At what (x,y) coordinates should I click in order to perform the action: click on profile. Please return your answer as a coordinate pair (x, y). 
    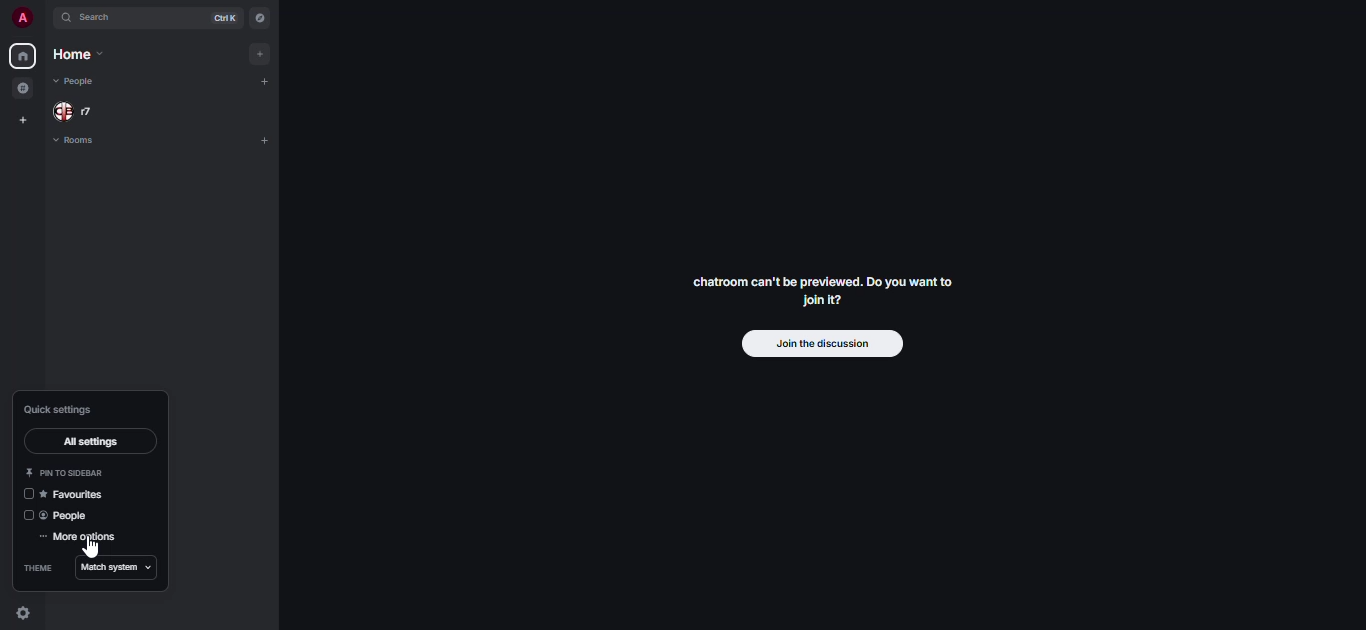
    Looking at the image, I should click on (20, 18).